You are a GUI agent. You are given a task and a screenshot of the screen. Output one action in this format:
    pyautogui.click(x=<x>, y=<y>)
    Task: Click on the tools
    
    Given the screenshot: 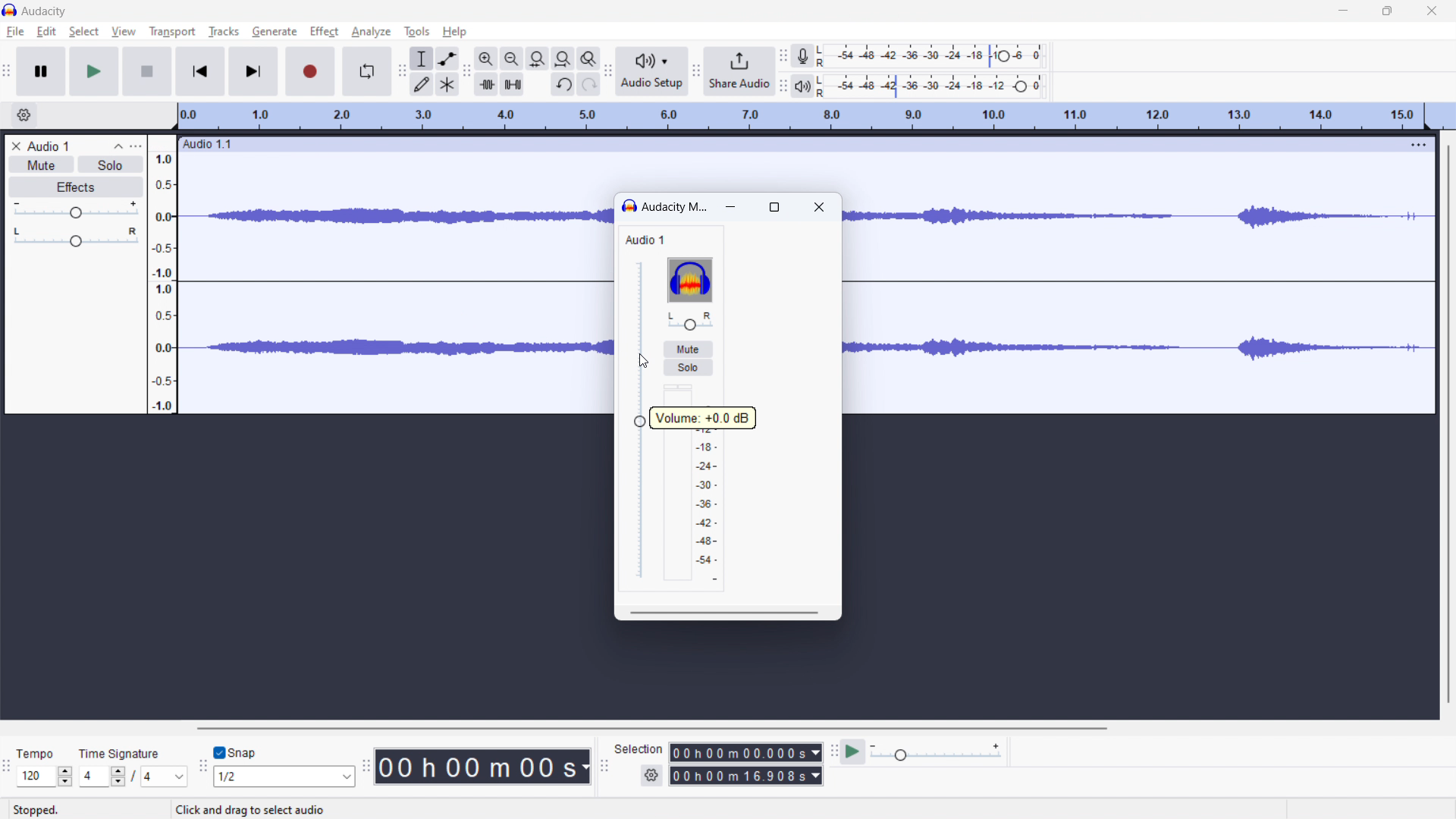 What is the action you would take?
    pyautogui.click(x=417, y=32)
    